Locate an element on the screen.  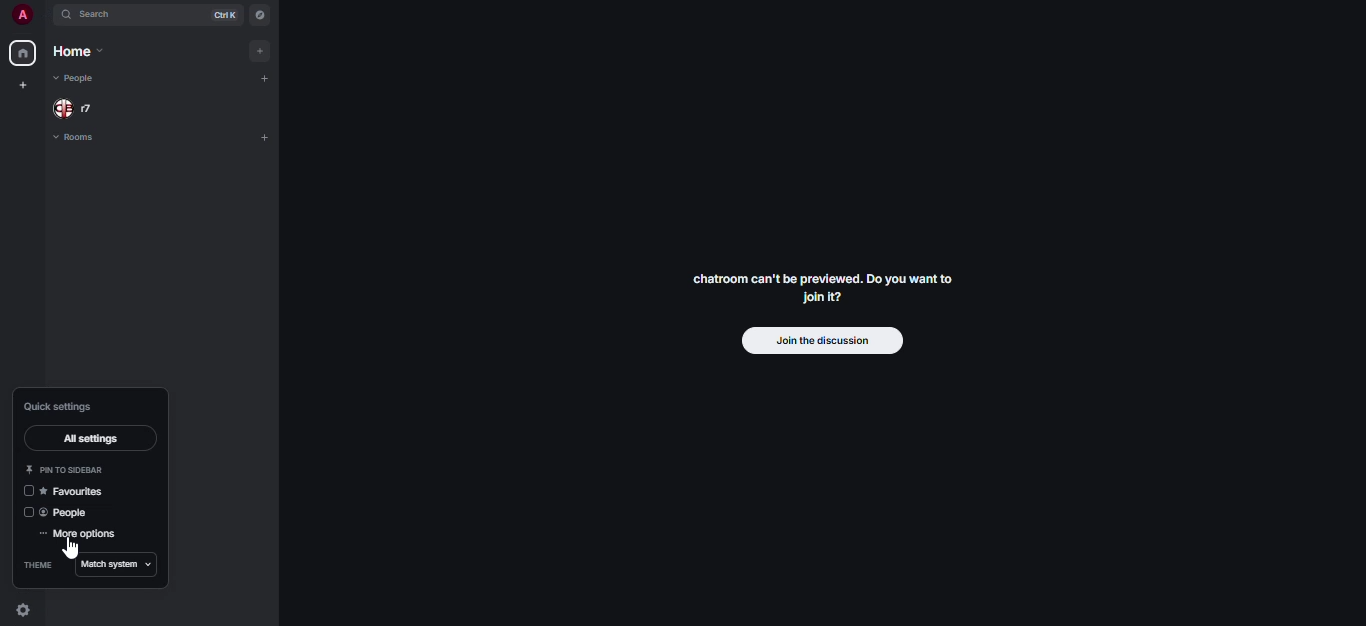
all settings is located at coordinates (98, 436).